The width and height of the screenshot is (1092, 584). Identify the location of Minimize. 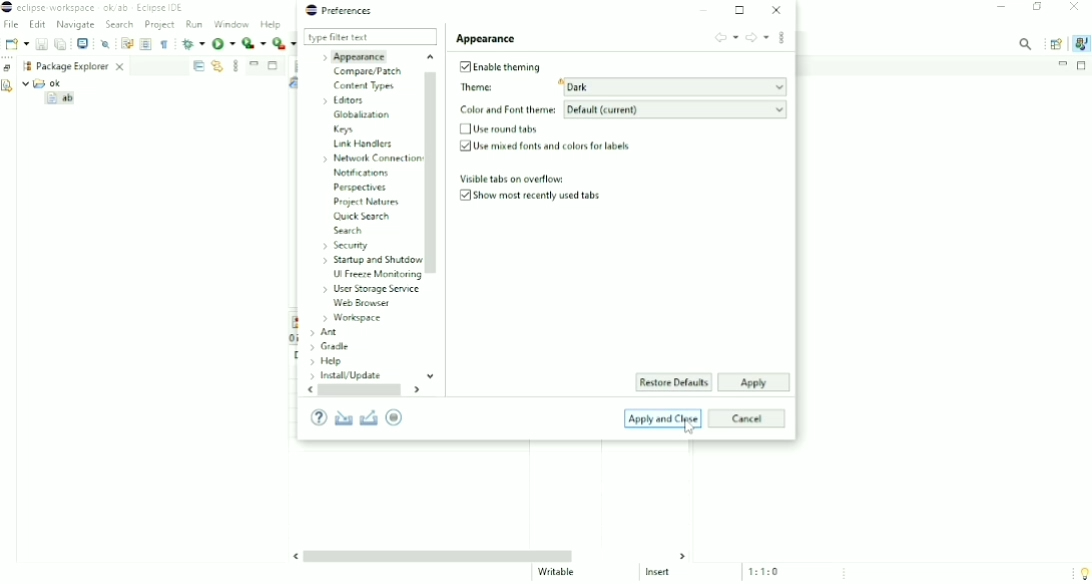
(1062, 64).